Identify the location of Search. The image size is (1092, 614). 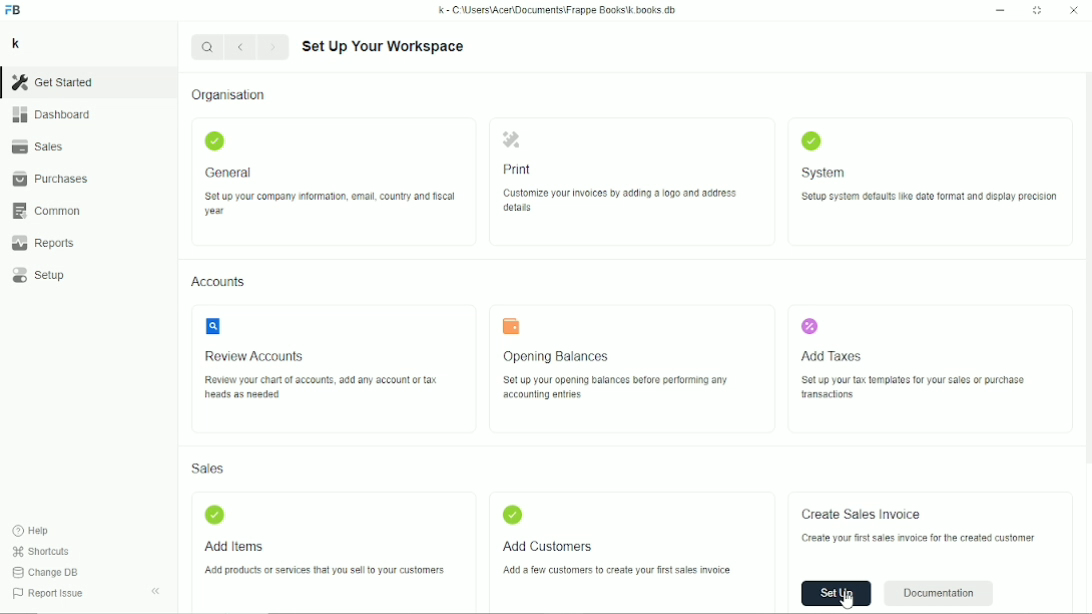
(208, 47).